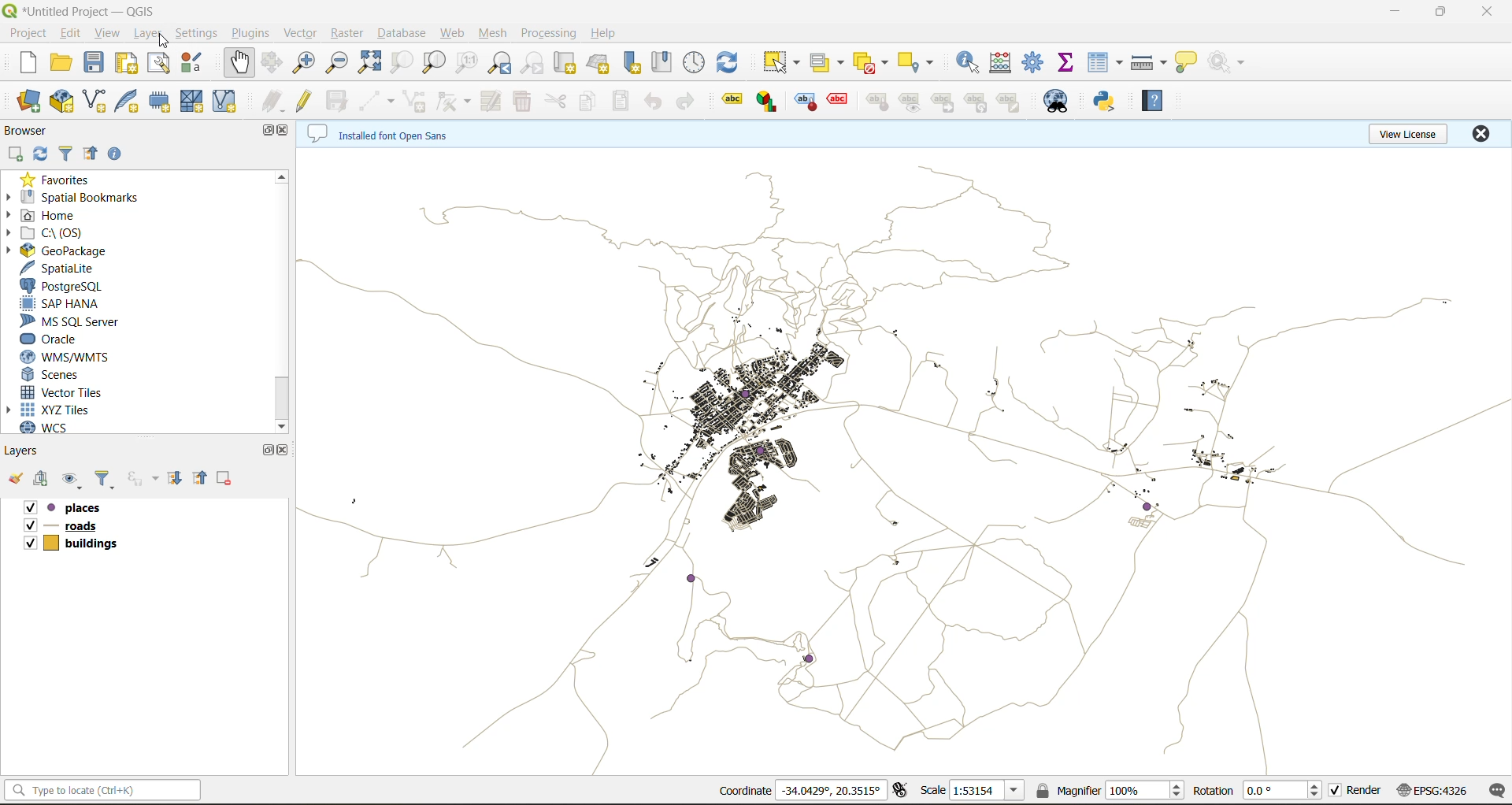 The image size is (1512, 805). Describe the element at coordinates (281, 299) in the screenshot. I see `cursor` at that location.